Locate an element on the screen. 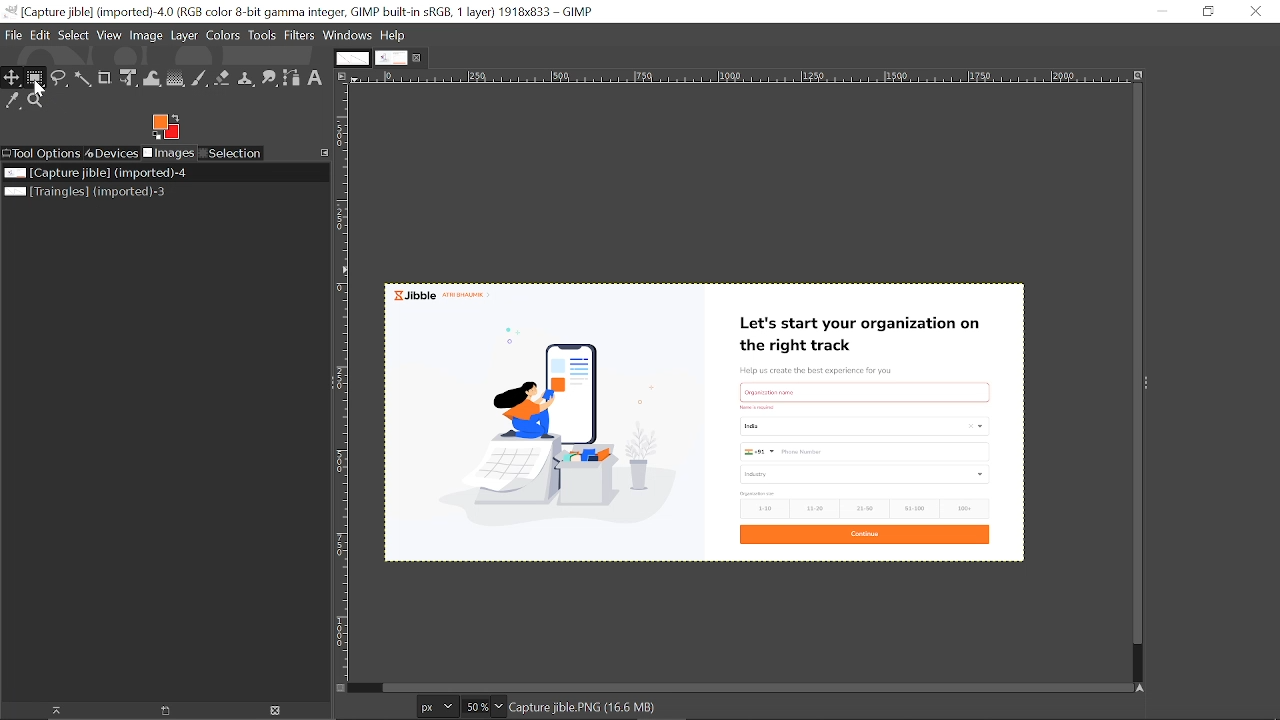 The image size is (1280, 720). Tools is located at coordinates (264, 37).